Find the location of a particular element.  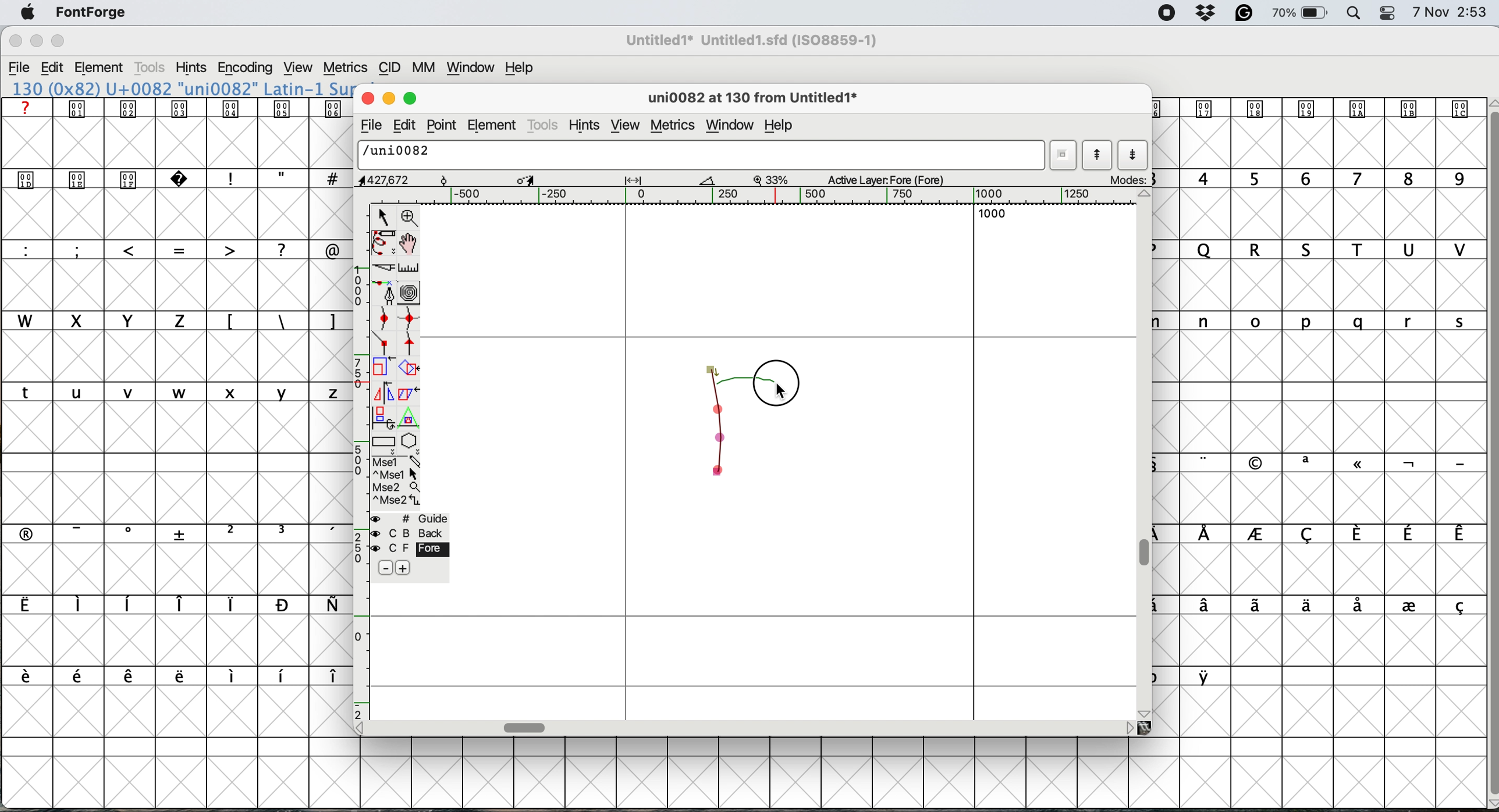

control center is located at coordinates (1391, 12).